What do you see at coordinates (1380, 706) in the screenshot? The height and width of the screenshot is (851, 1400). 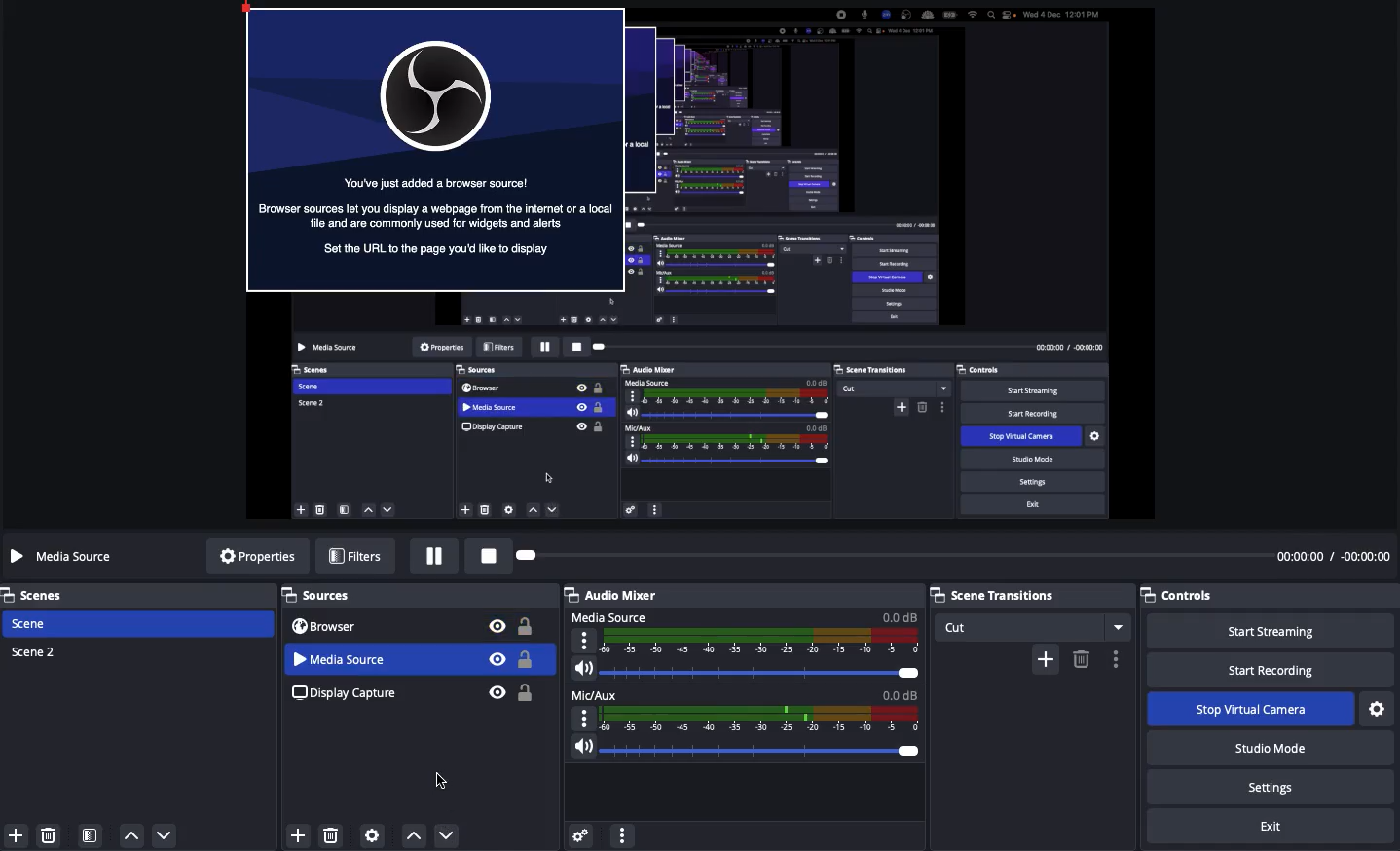 I see `Settings` at bounding box center [1380, 706].